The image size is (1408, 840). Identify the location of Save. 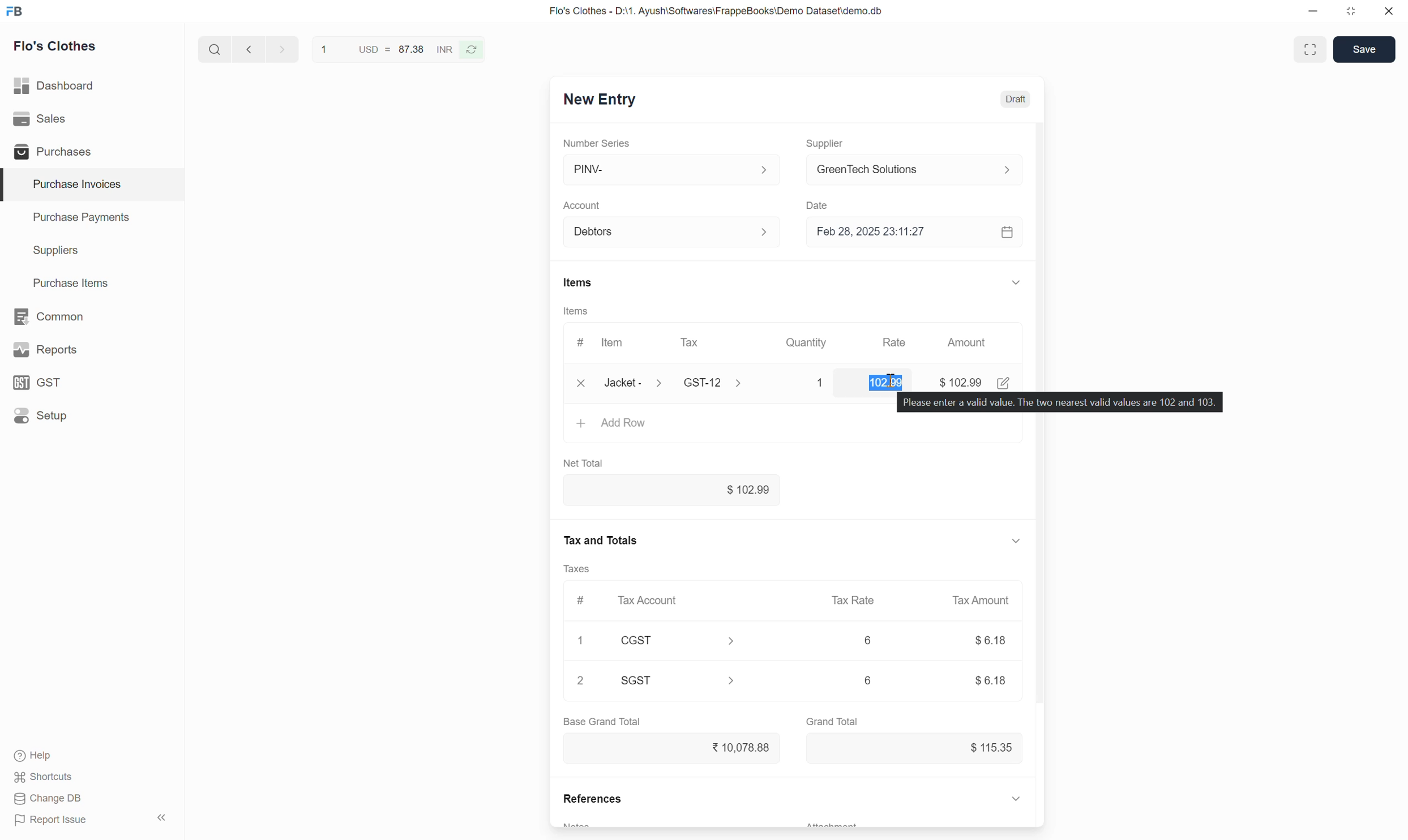
(1364, 49).